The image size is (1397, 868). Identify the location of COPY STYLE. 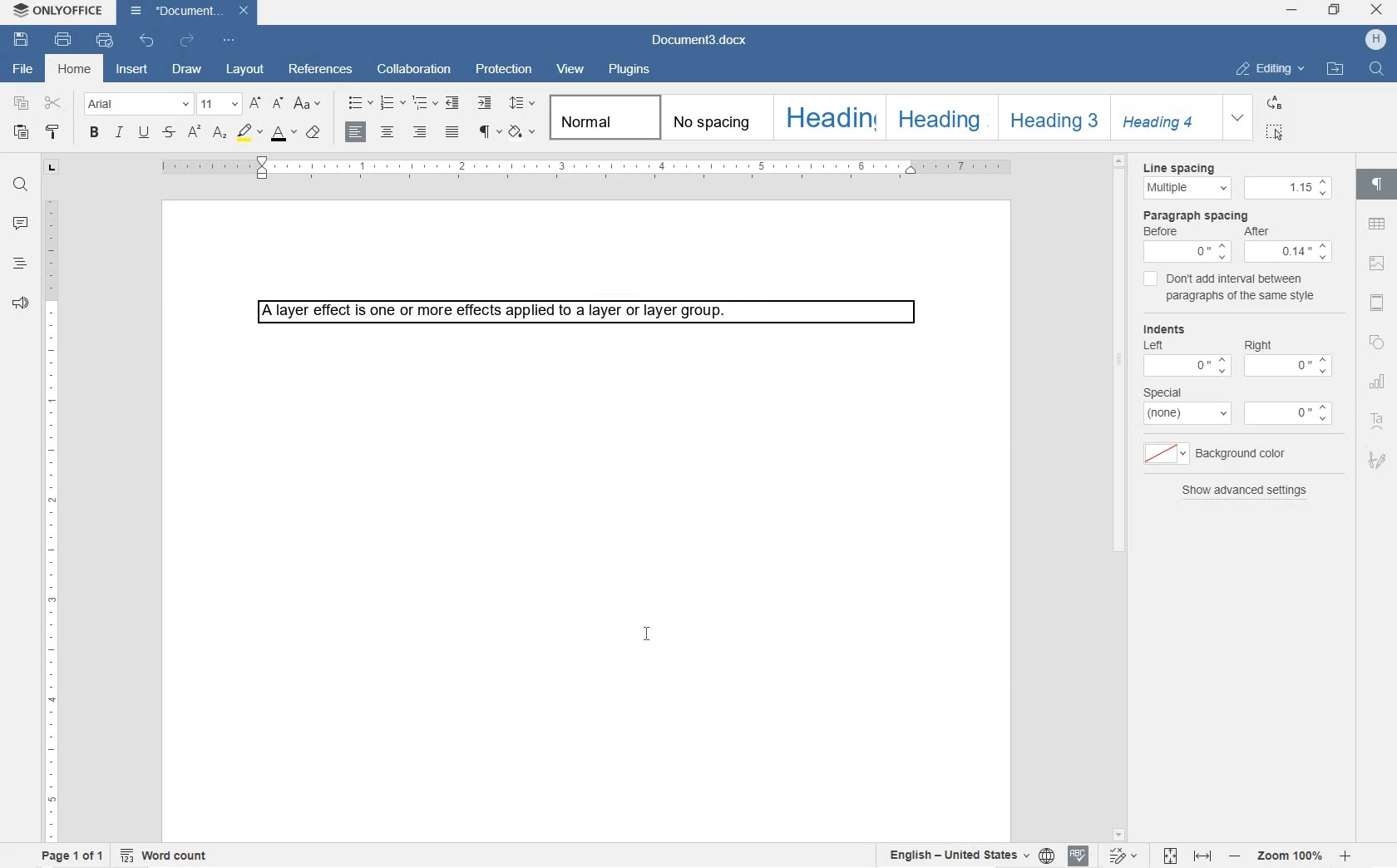
(53, 133).